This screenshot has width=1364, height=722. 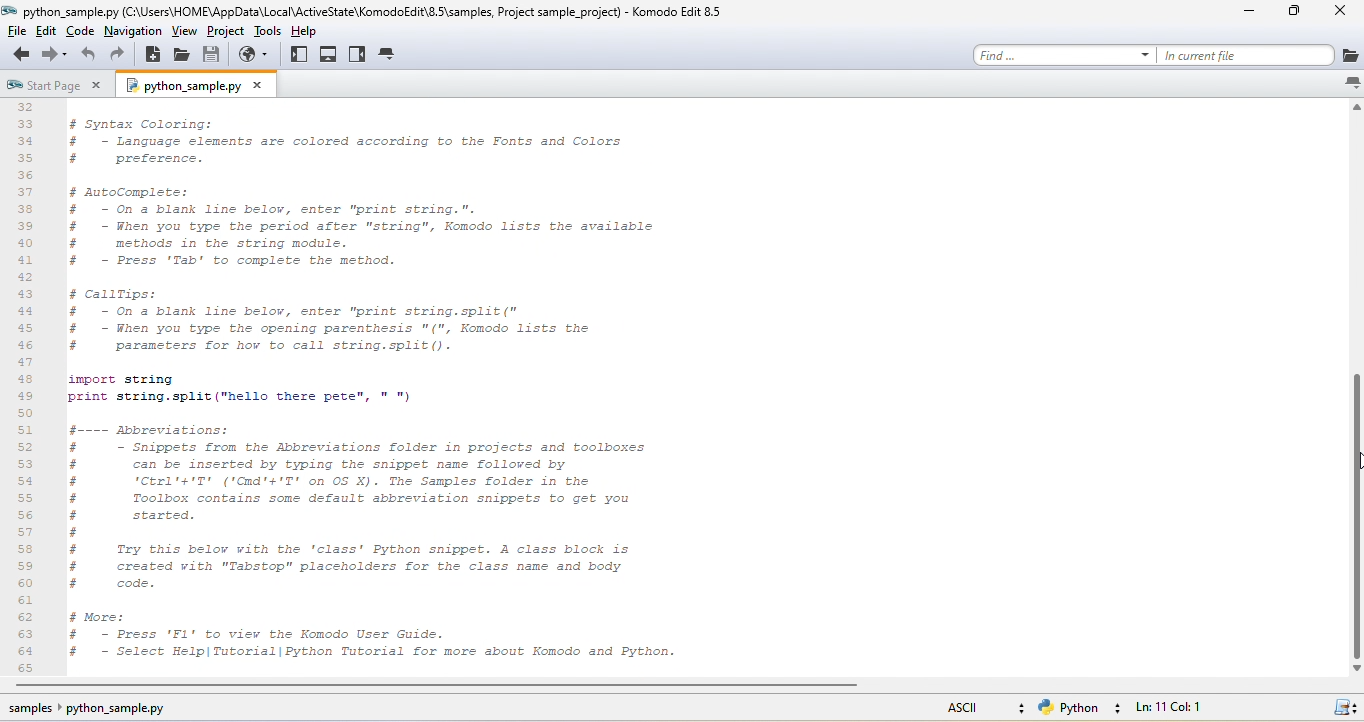 I want to click on open, so click(x=185, y=56).